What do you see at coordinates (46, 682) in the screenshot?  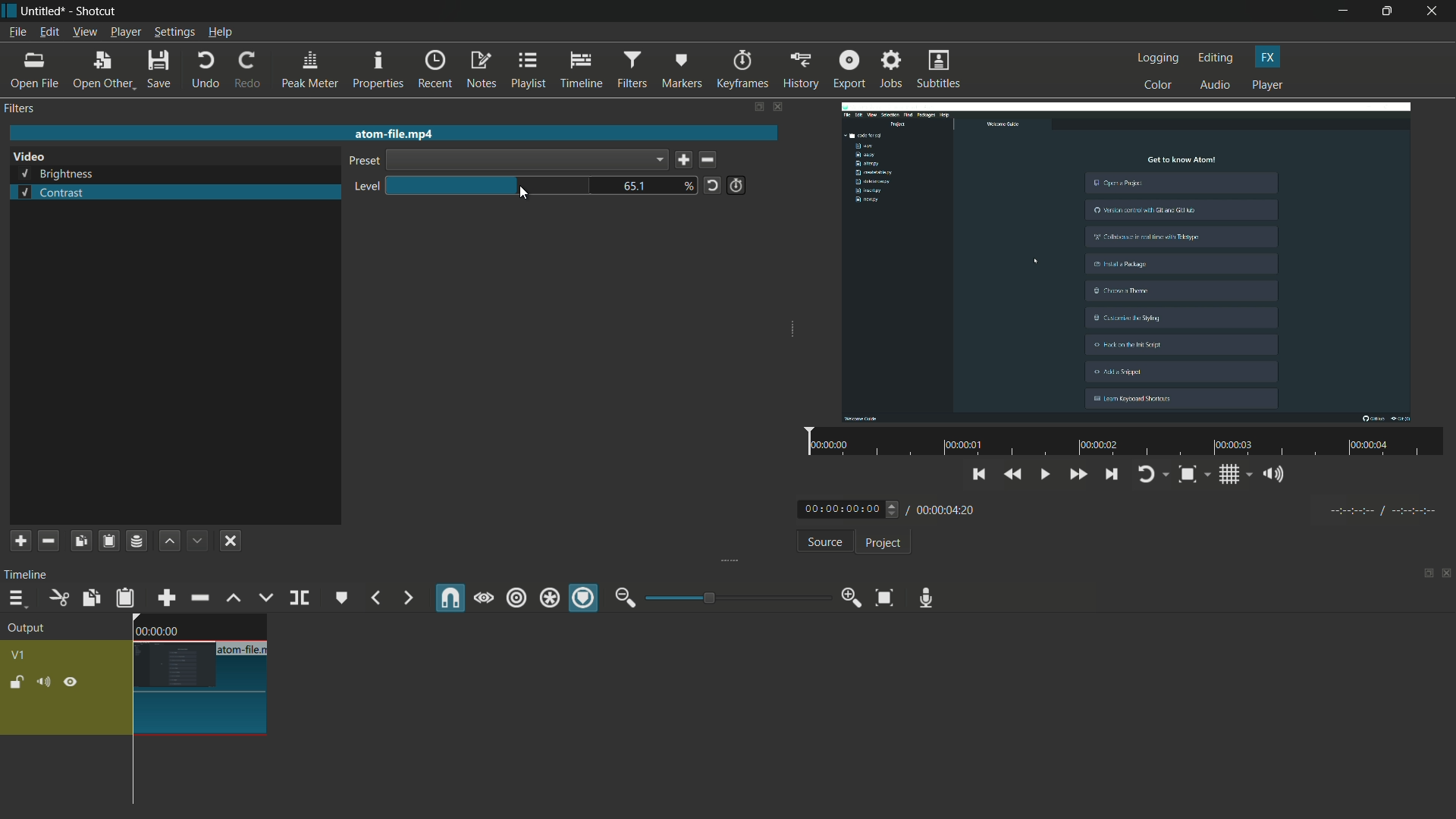 I see `mute` at bounding box center [46, 682].